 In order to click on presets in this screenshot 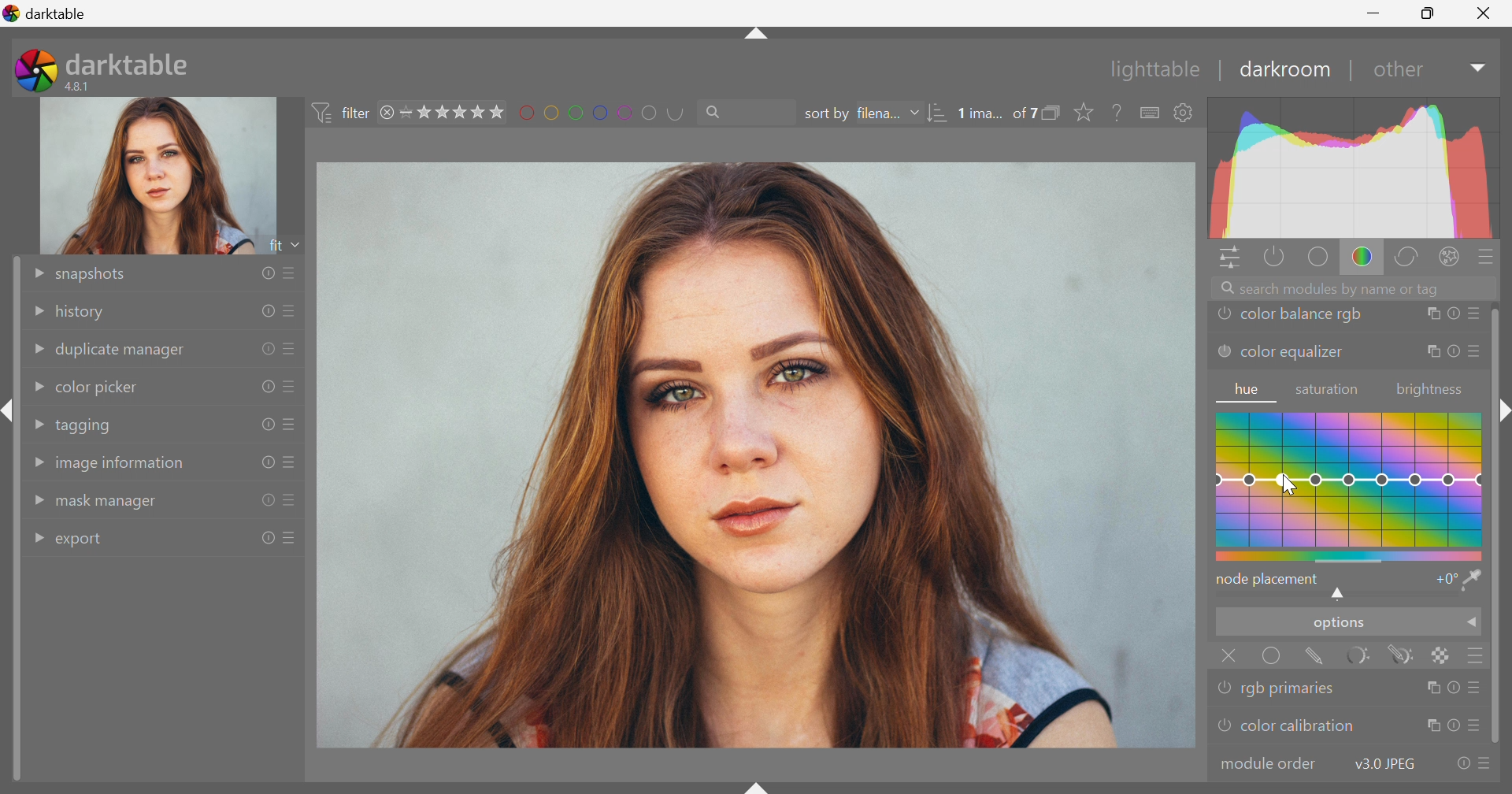, I will do `click(1486, 765)`.